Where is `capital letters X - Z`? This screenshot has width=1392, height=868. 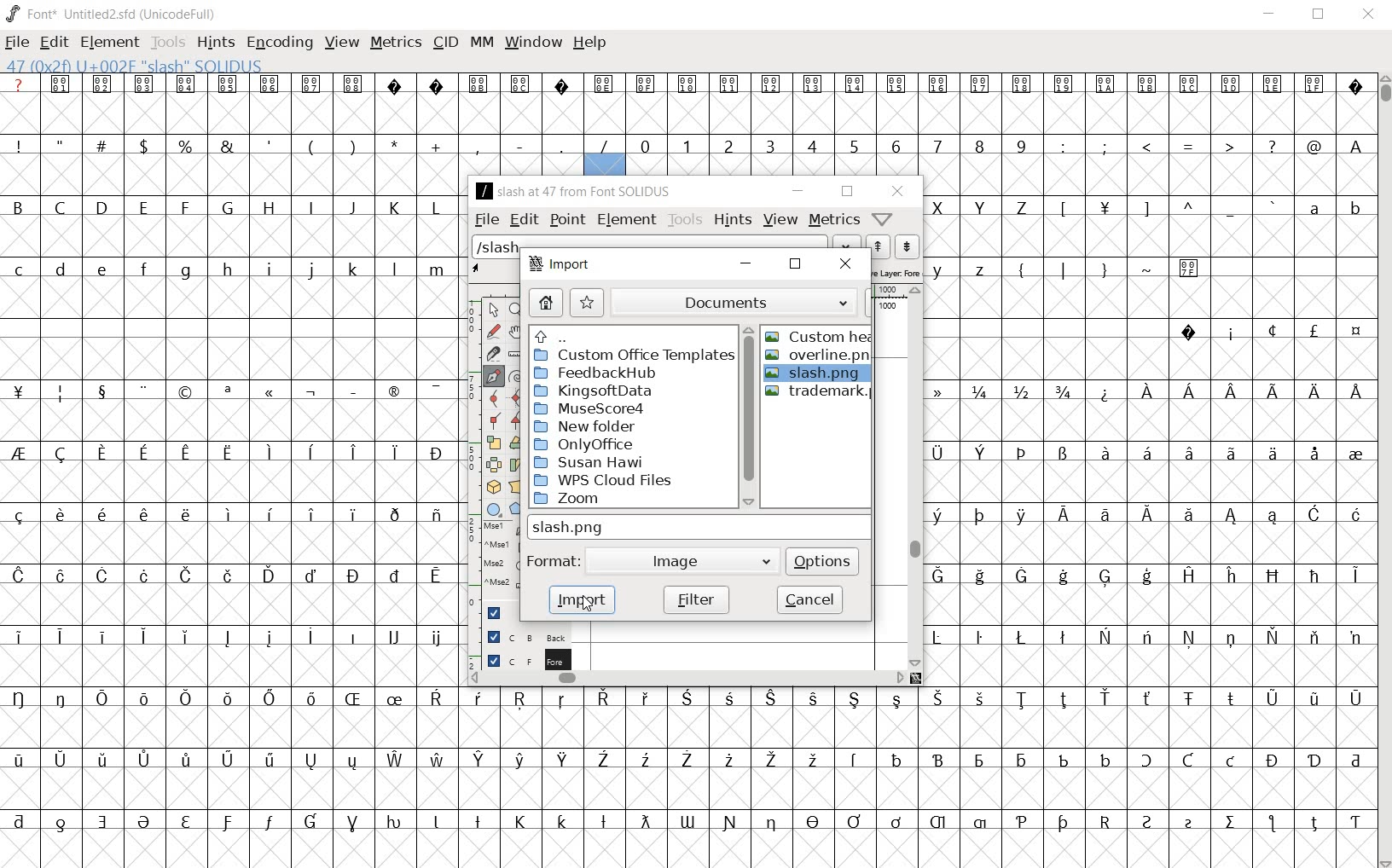 capital letters X - Z is located at coordinates (988, 208).